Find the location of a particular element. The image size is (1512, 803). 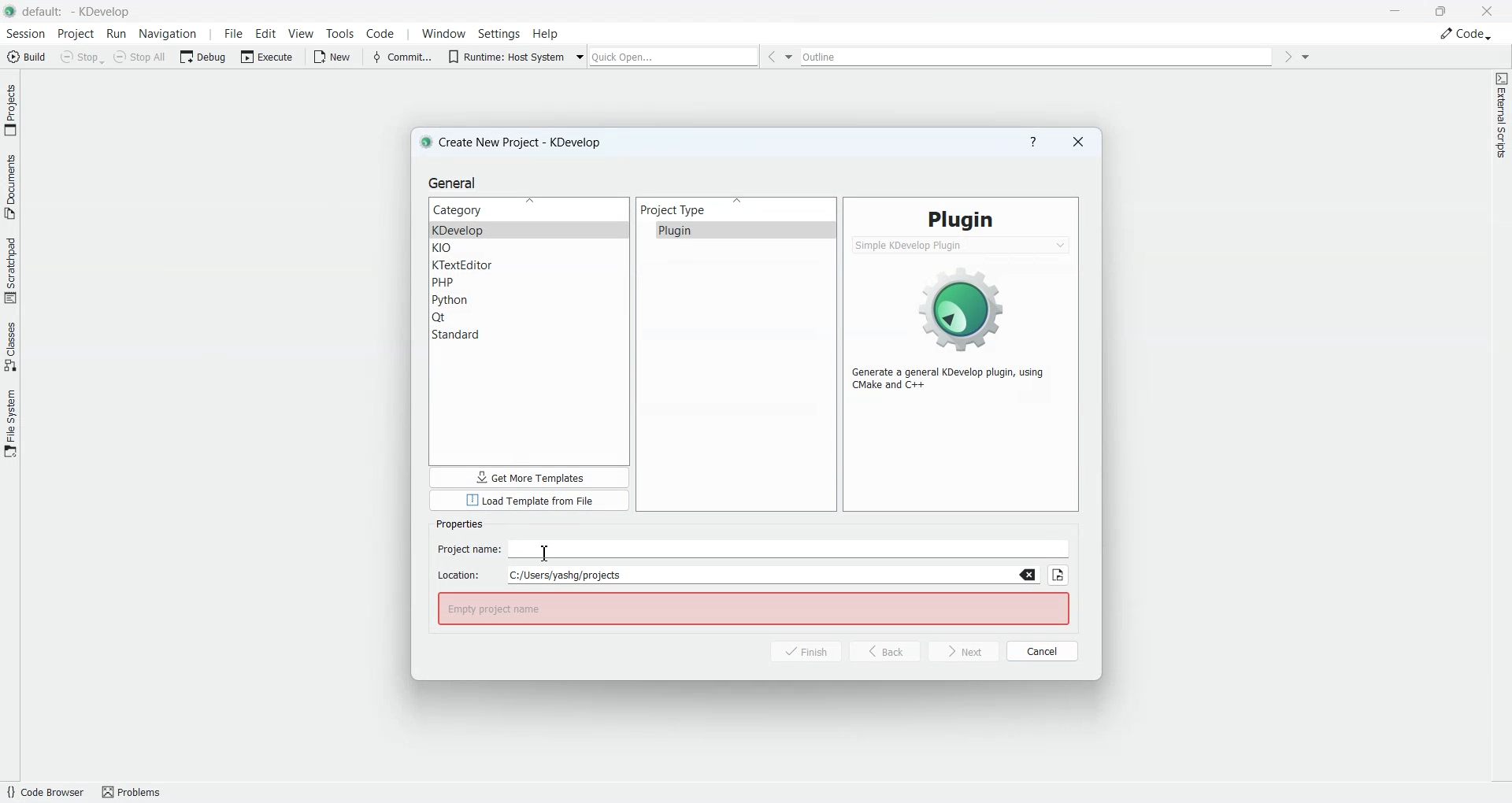

Standard is located at coordinates (529, 335).